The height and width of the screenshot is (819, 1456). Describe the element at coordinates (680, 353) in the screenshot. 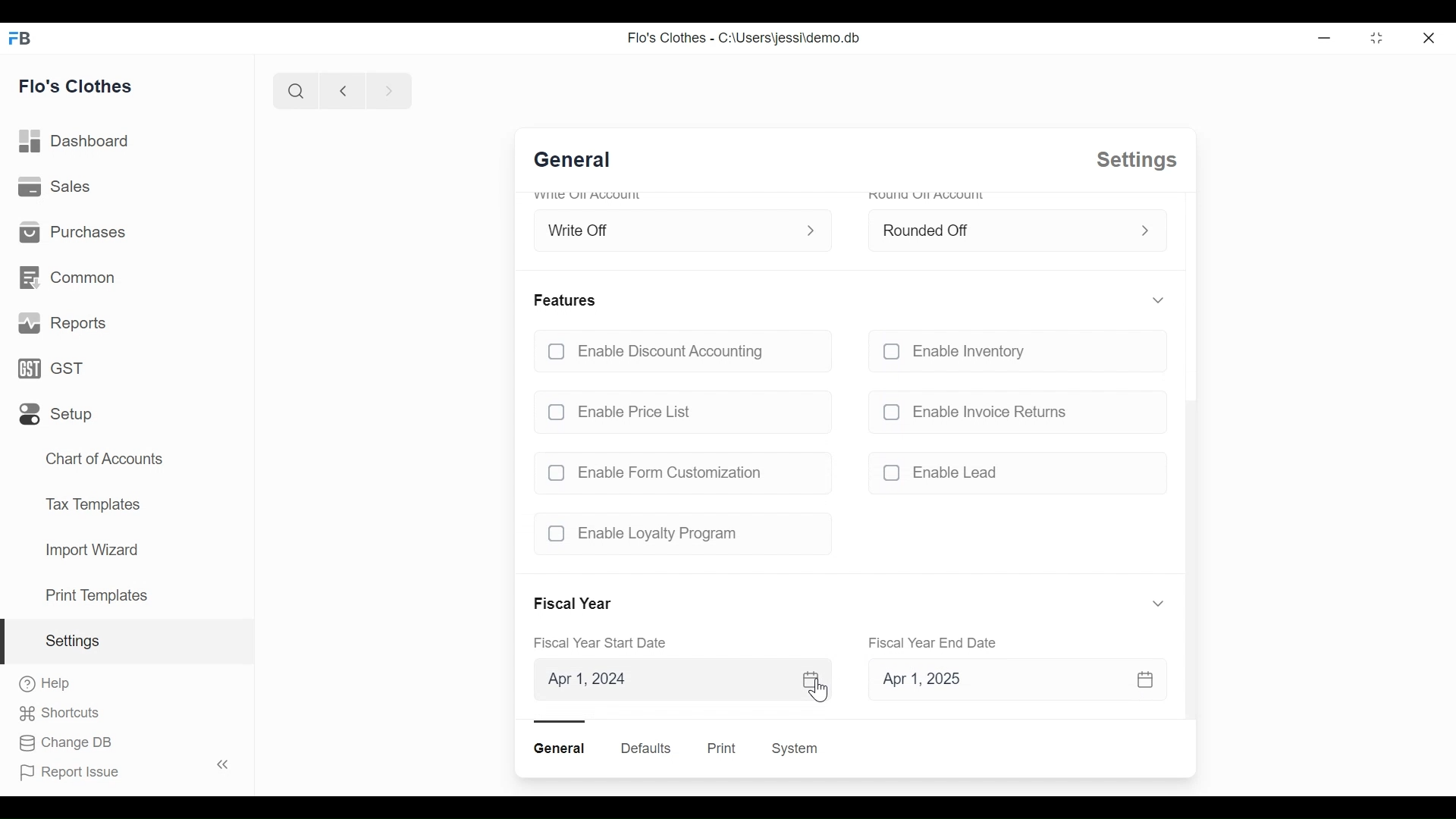

I see `unchecked Enable Discount Accounting` at that location.